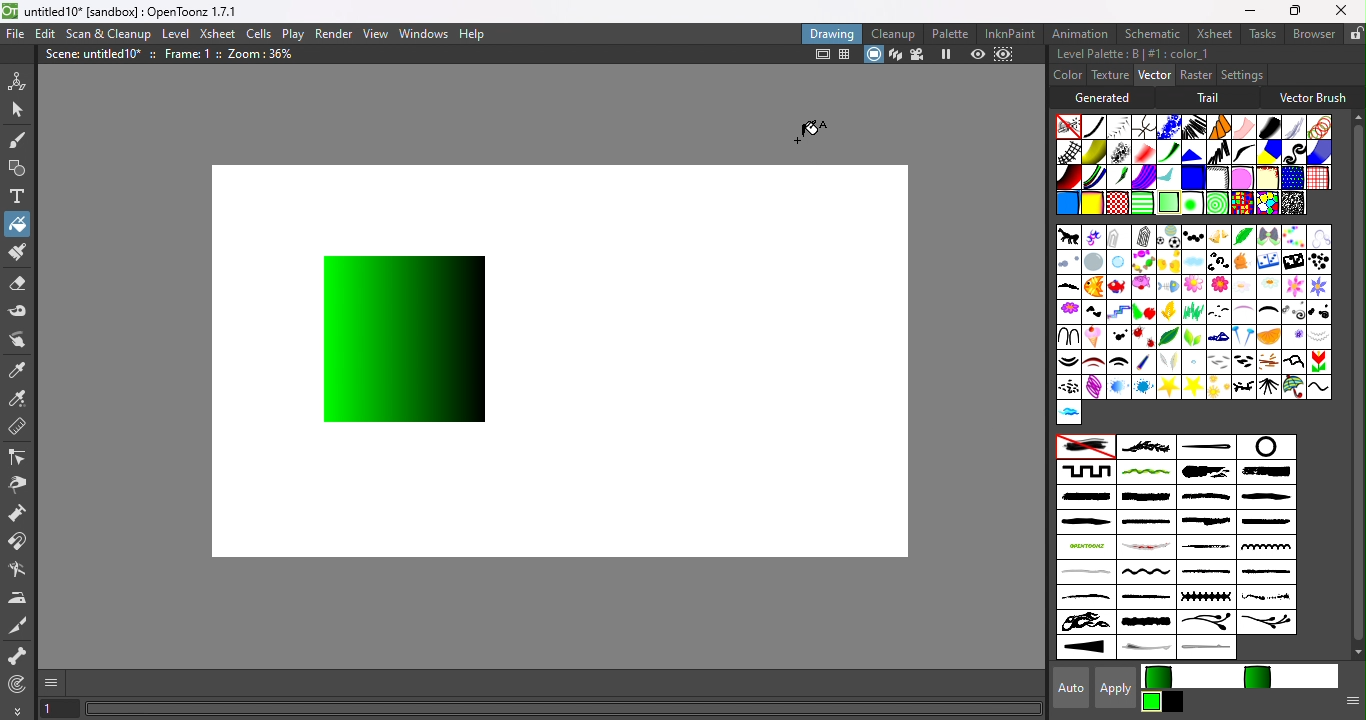  Describe the element at coordinates (952, 34) in the screenshot. I see `Palette` at that location.